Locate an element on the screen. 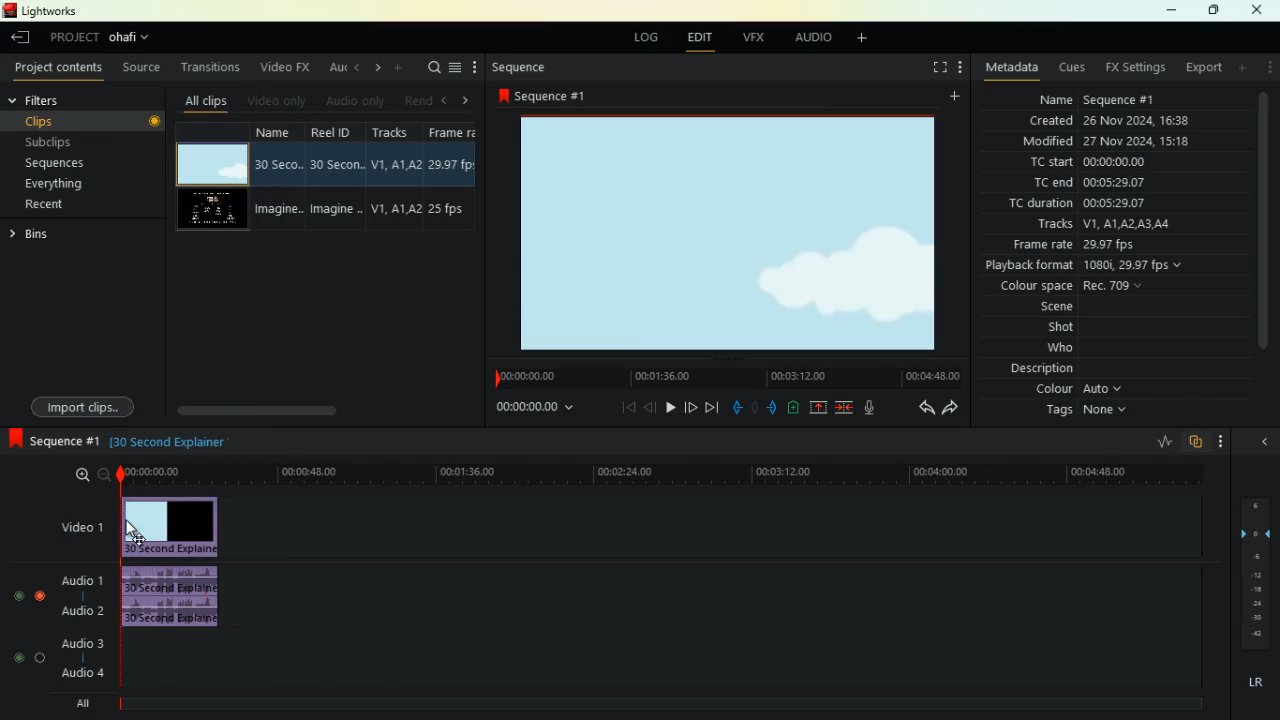  cues is located at coordinates (1074, 68).